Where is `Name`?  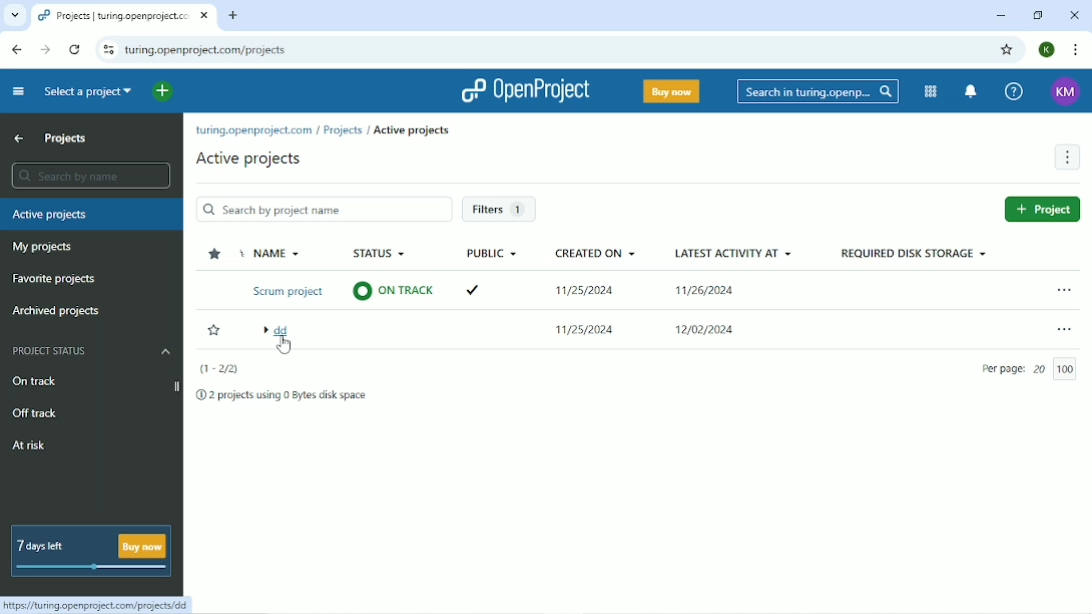
Name is located at coordinates (291, 299).